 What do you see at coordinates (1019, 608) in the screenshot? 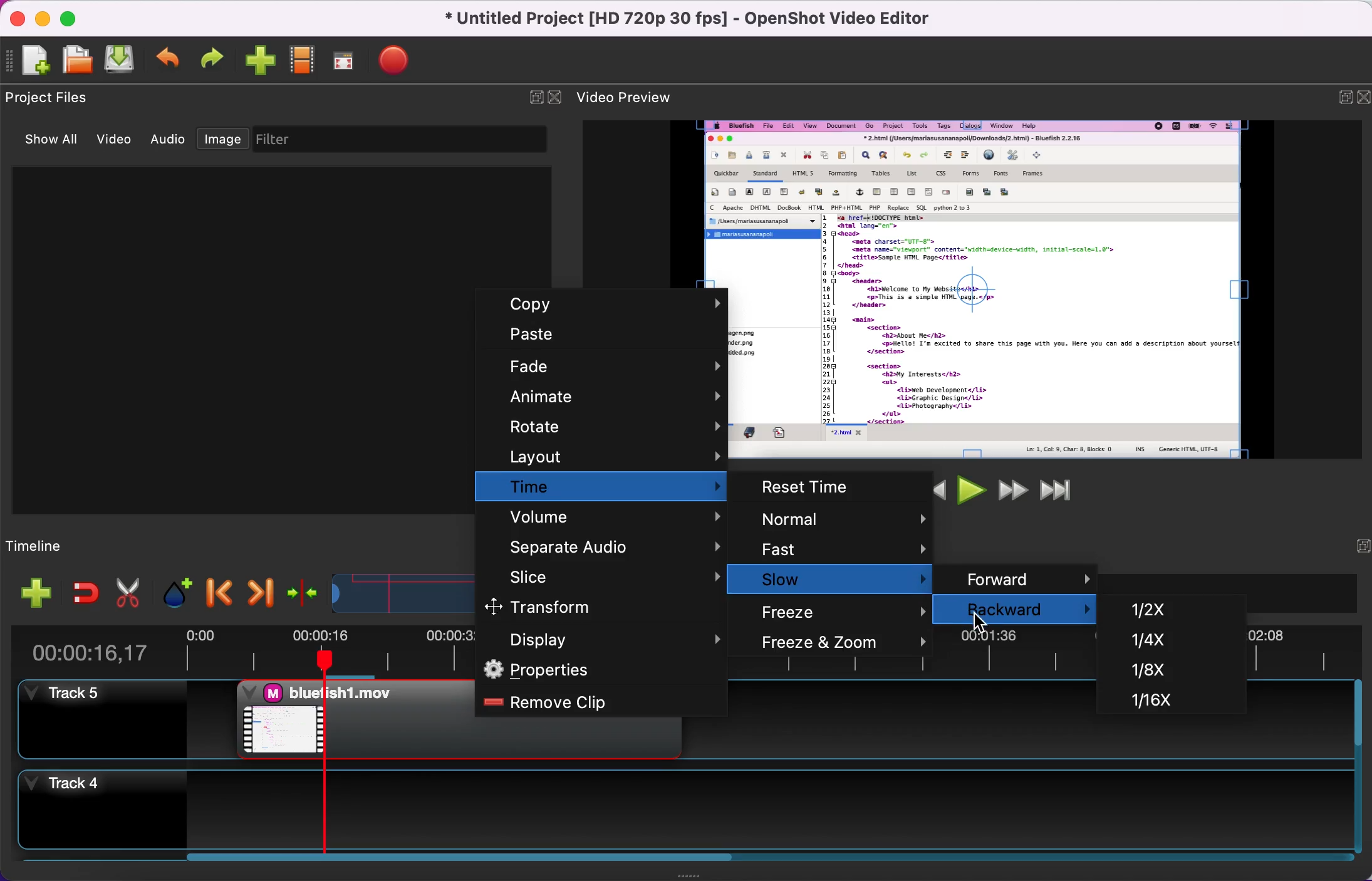
I see `backward` at bounding box center [1019, 608].